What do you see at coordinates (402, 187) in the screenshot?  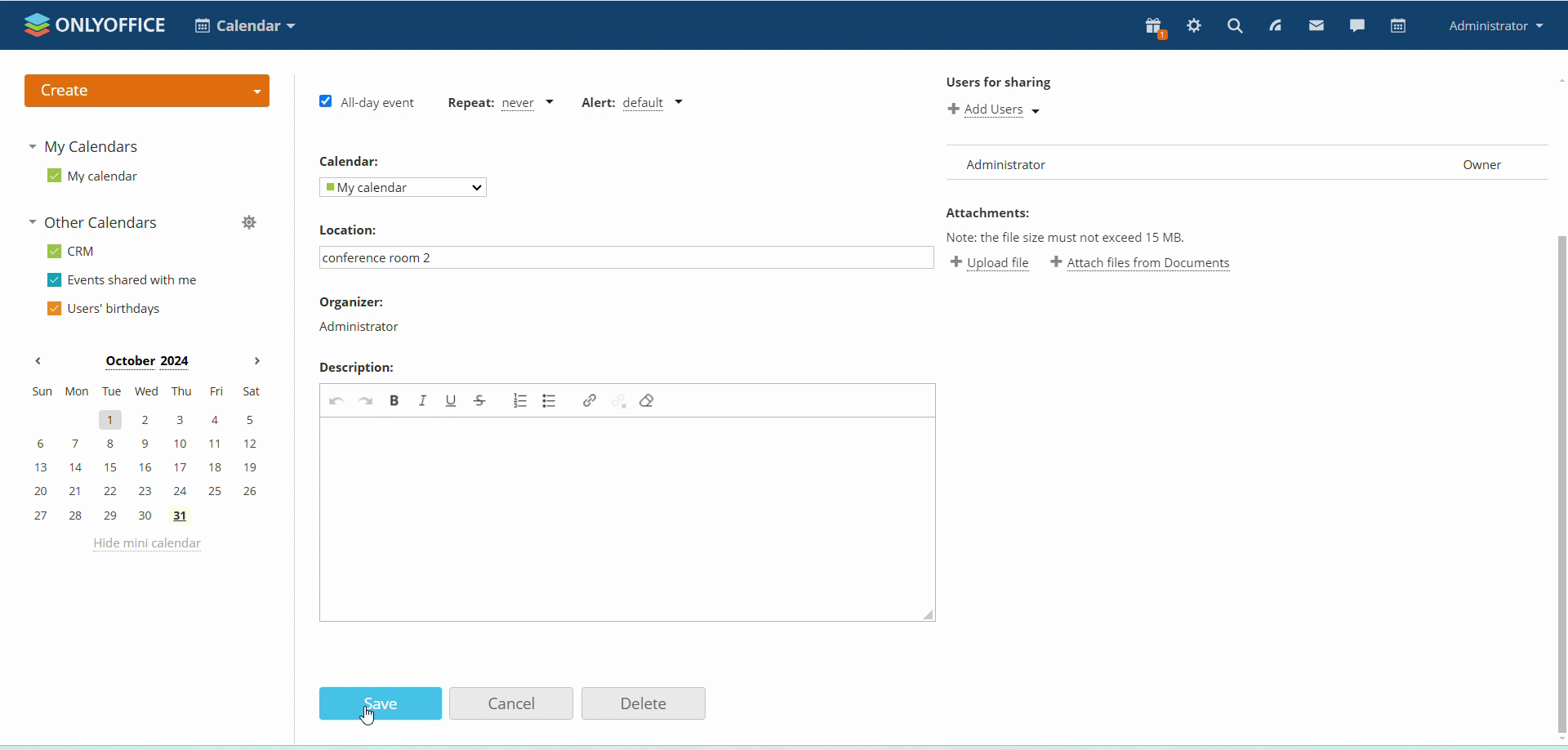 I see `My calendar` at bounding box center [402, 187].